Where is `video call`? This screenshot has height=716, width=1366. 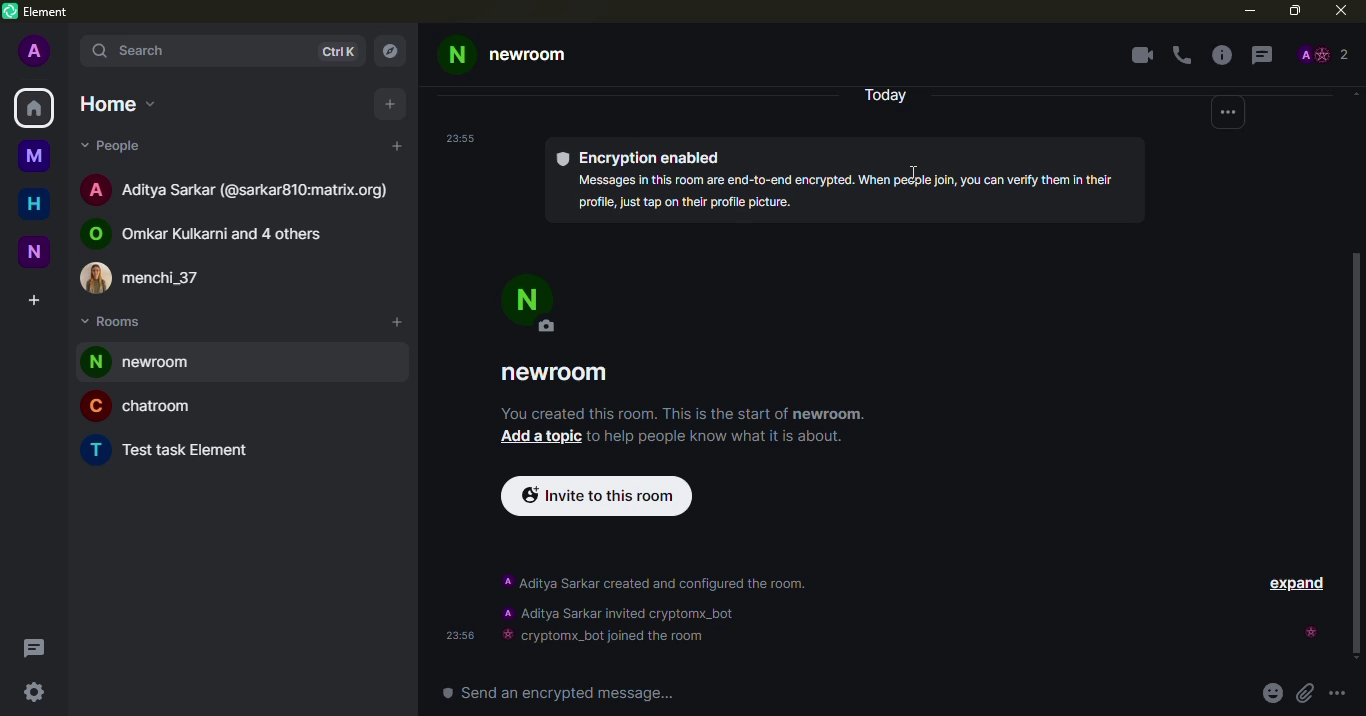
video call is located at coordinates (1144, 56).